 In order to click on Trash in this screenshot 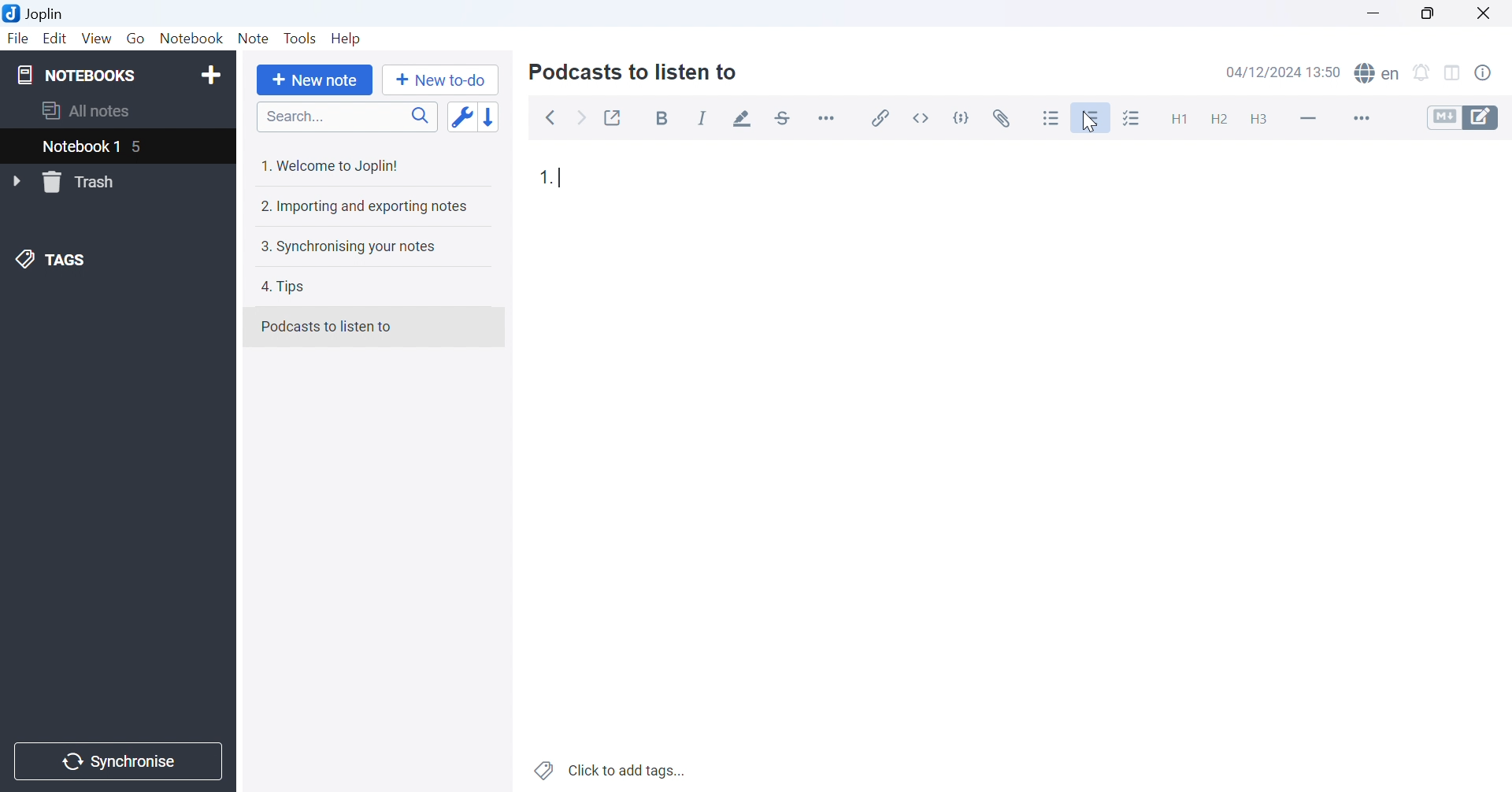, I will do `click(88, 182)`.